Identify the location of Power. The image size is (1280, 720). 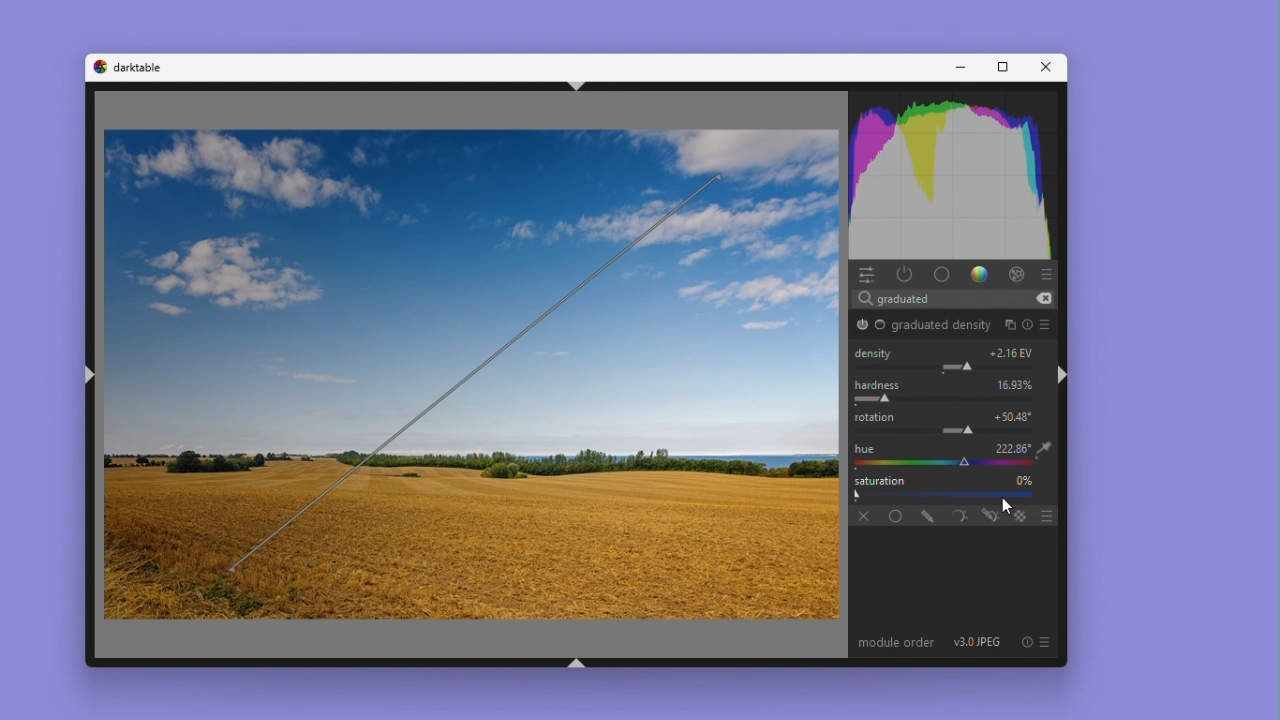
(905, 273).